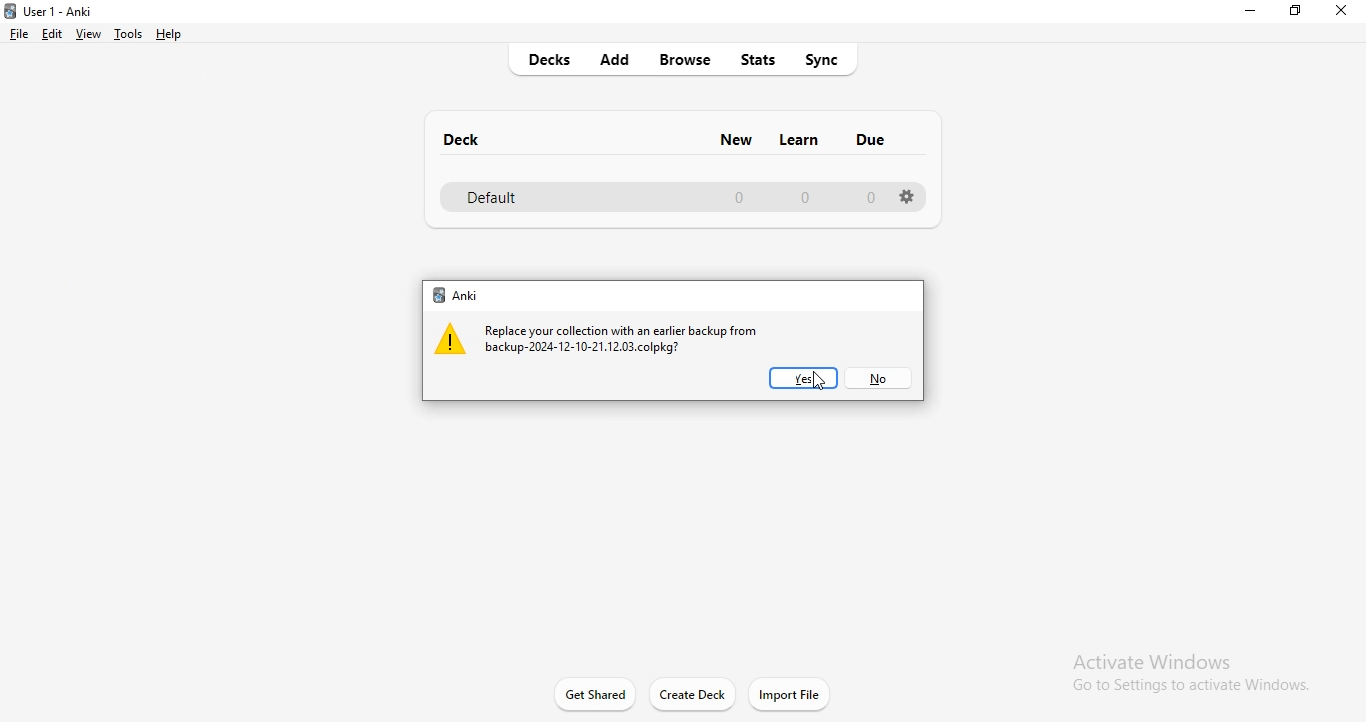  I want to click on import file, so click(790, 694).